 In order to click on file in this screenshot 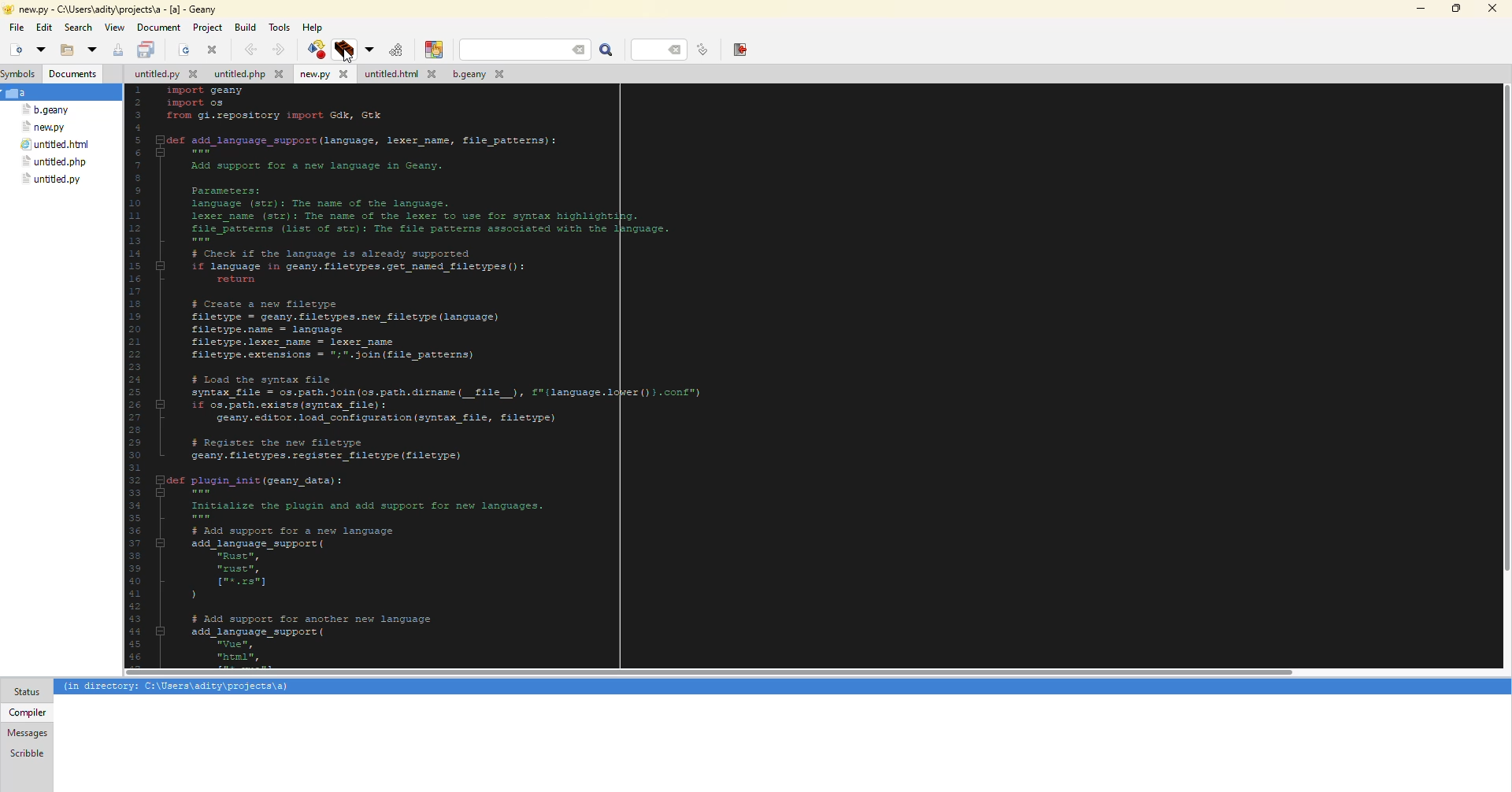, I will do `click(45, 128)`.